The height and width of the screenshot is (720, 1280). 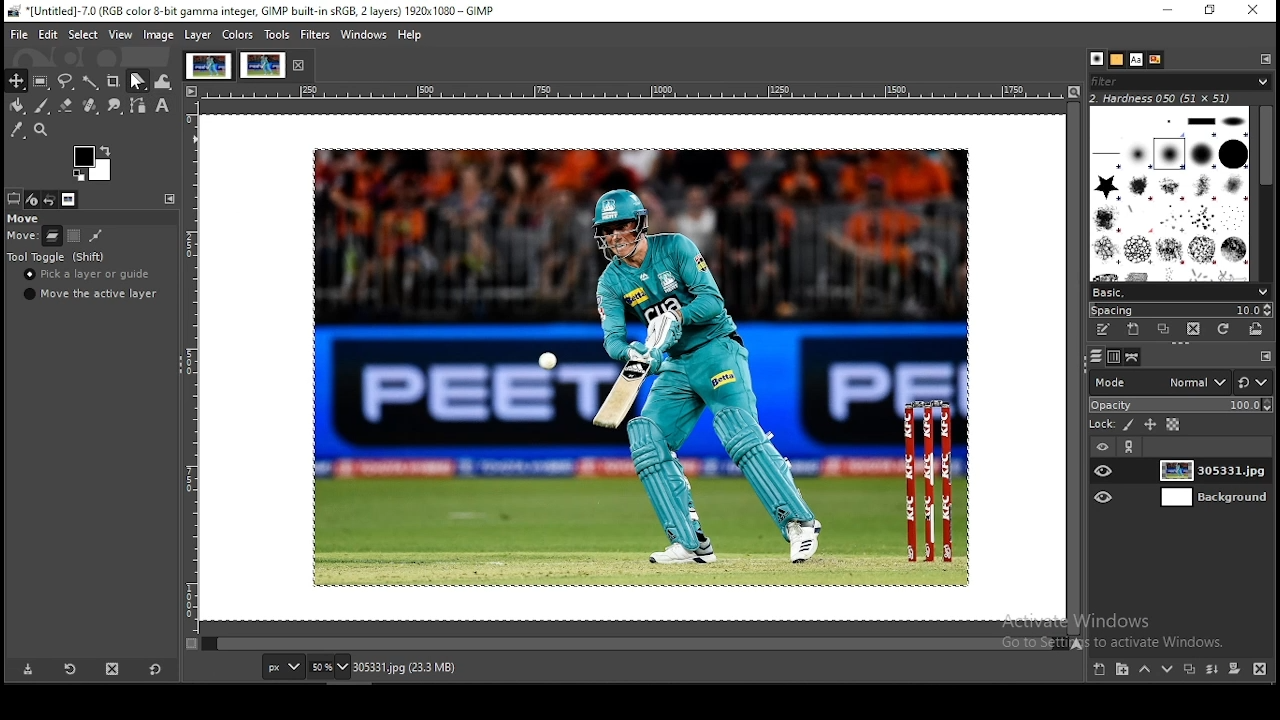 I want to click on configure this tab, so click(x=1266, y=359).